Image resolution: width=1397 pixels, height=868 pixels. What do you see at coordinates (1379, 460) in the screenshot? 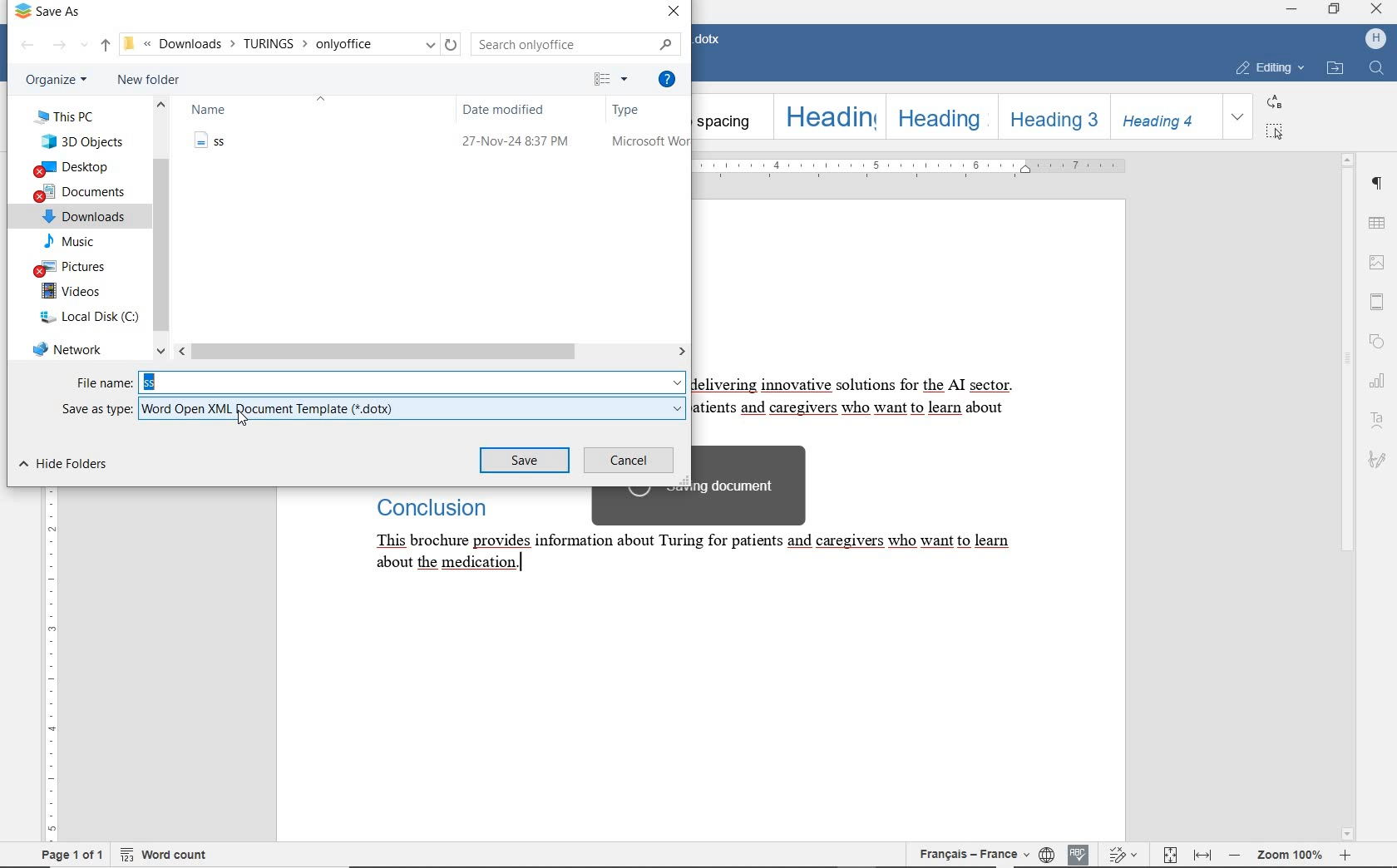
I see `SIGNATURE` at bounding box center [1379, 460].